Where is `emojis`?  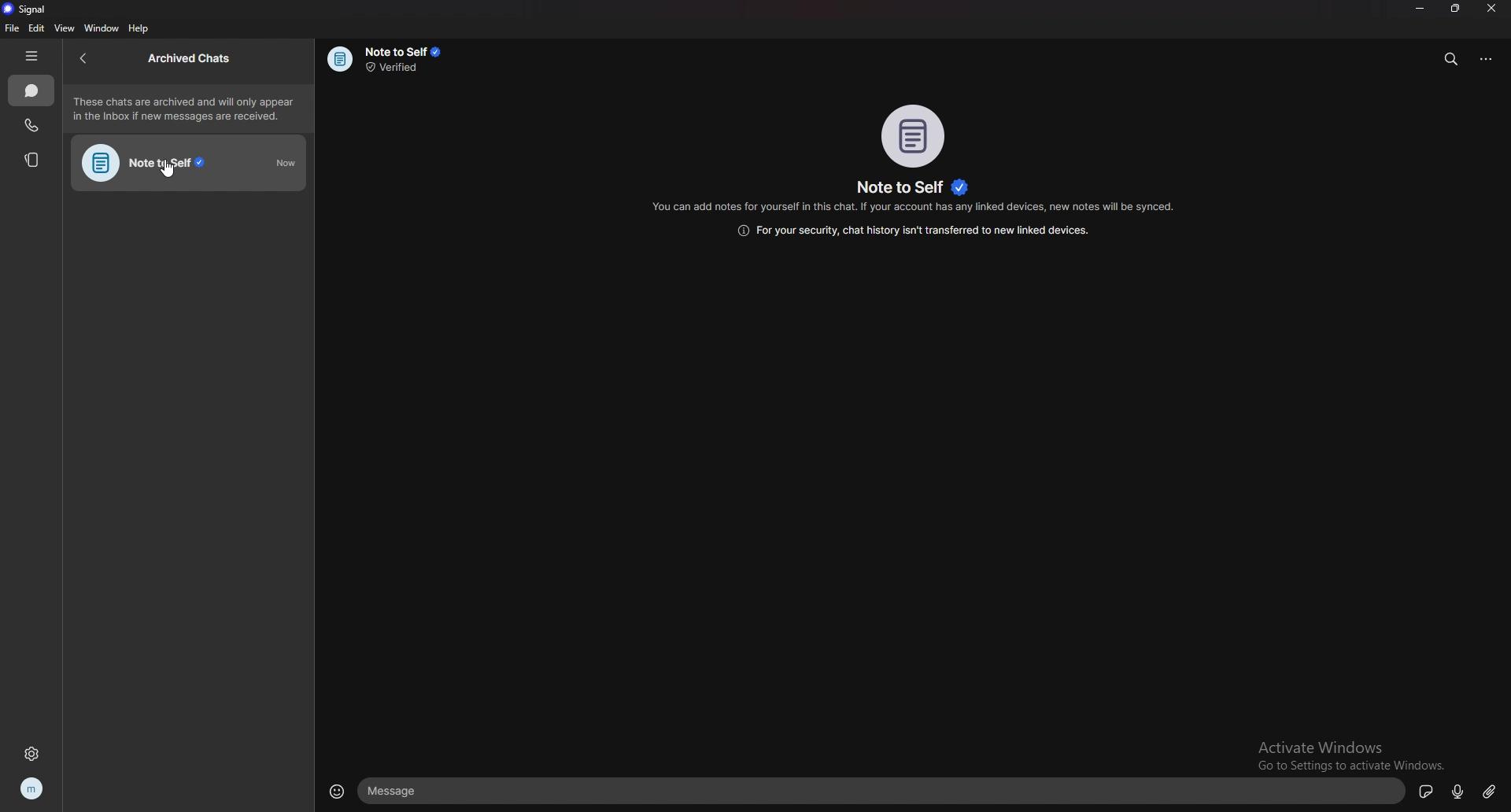 emojis is located at coordinates (337, 789).